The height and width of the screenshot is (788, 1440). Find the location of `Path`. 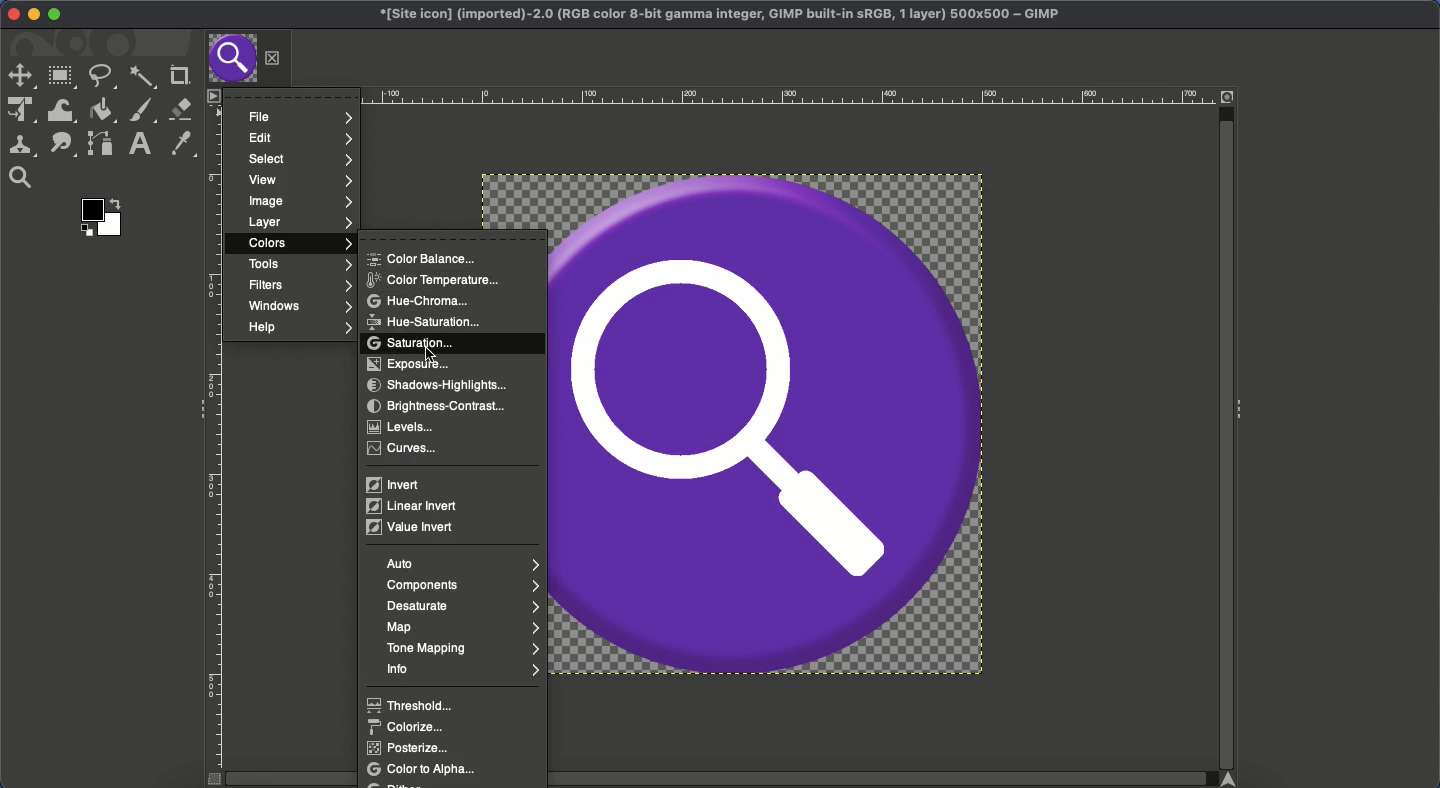

Path is located at coordinates (100, 143).